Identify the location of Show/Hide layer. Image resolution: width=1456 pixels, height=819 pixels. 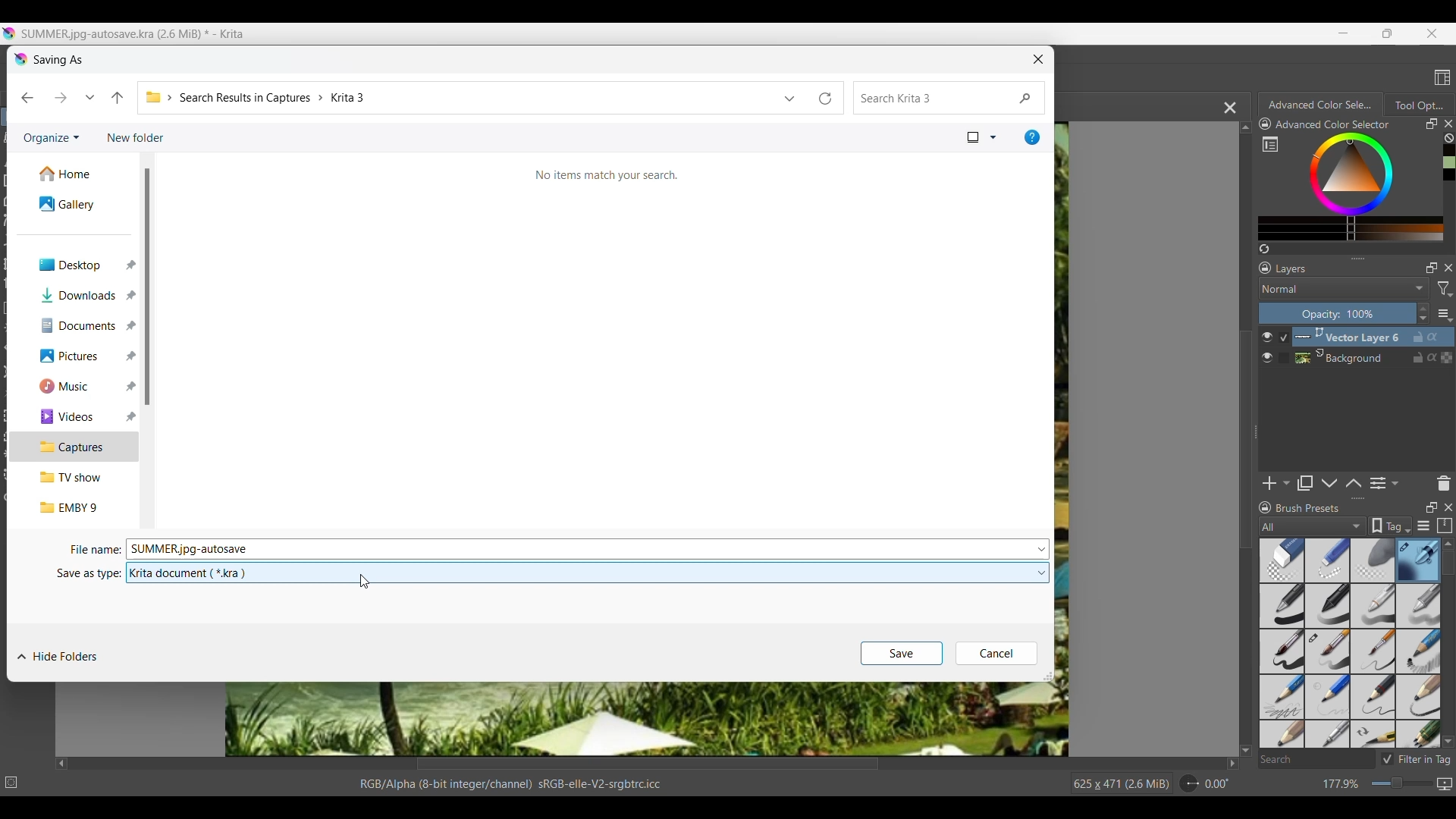
(1267, 347).